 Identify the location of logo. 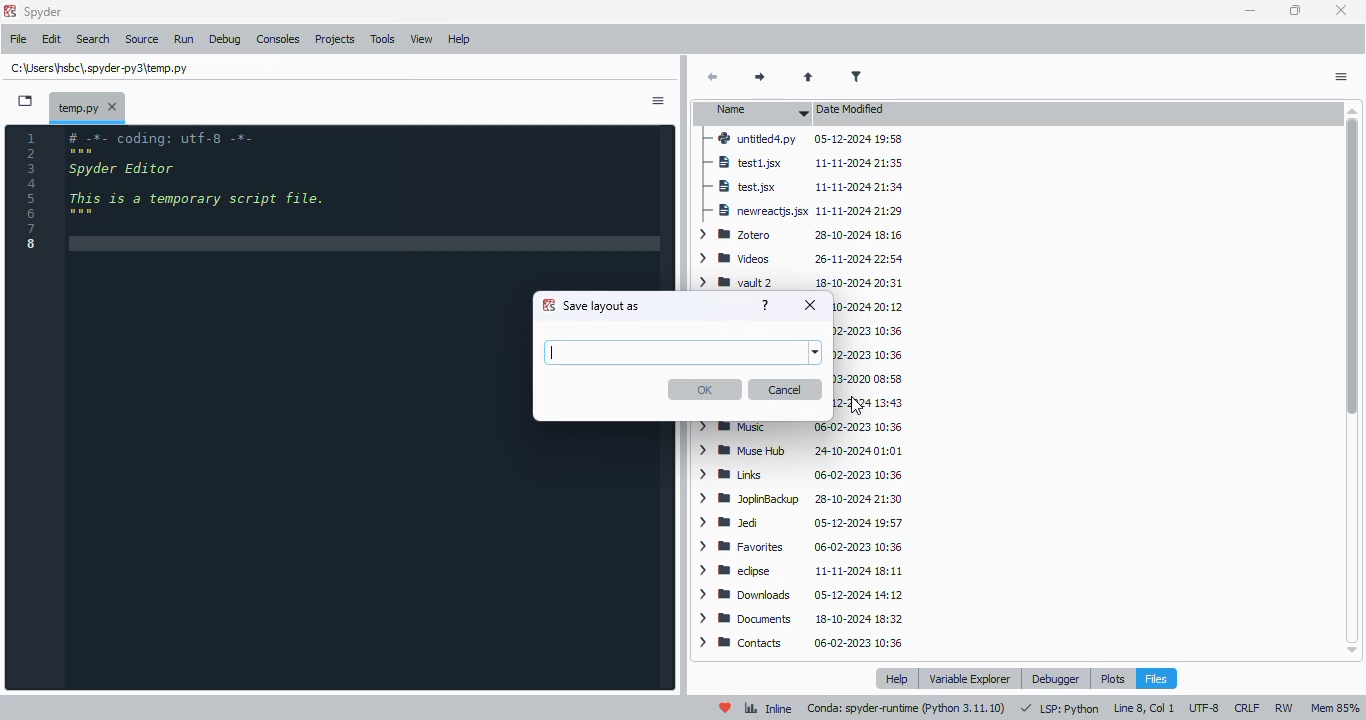
(9, 11).